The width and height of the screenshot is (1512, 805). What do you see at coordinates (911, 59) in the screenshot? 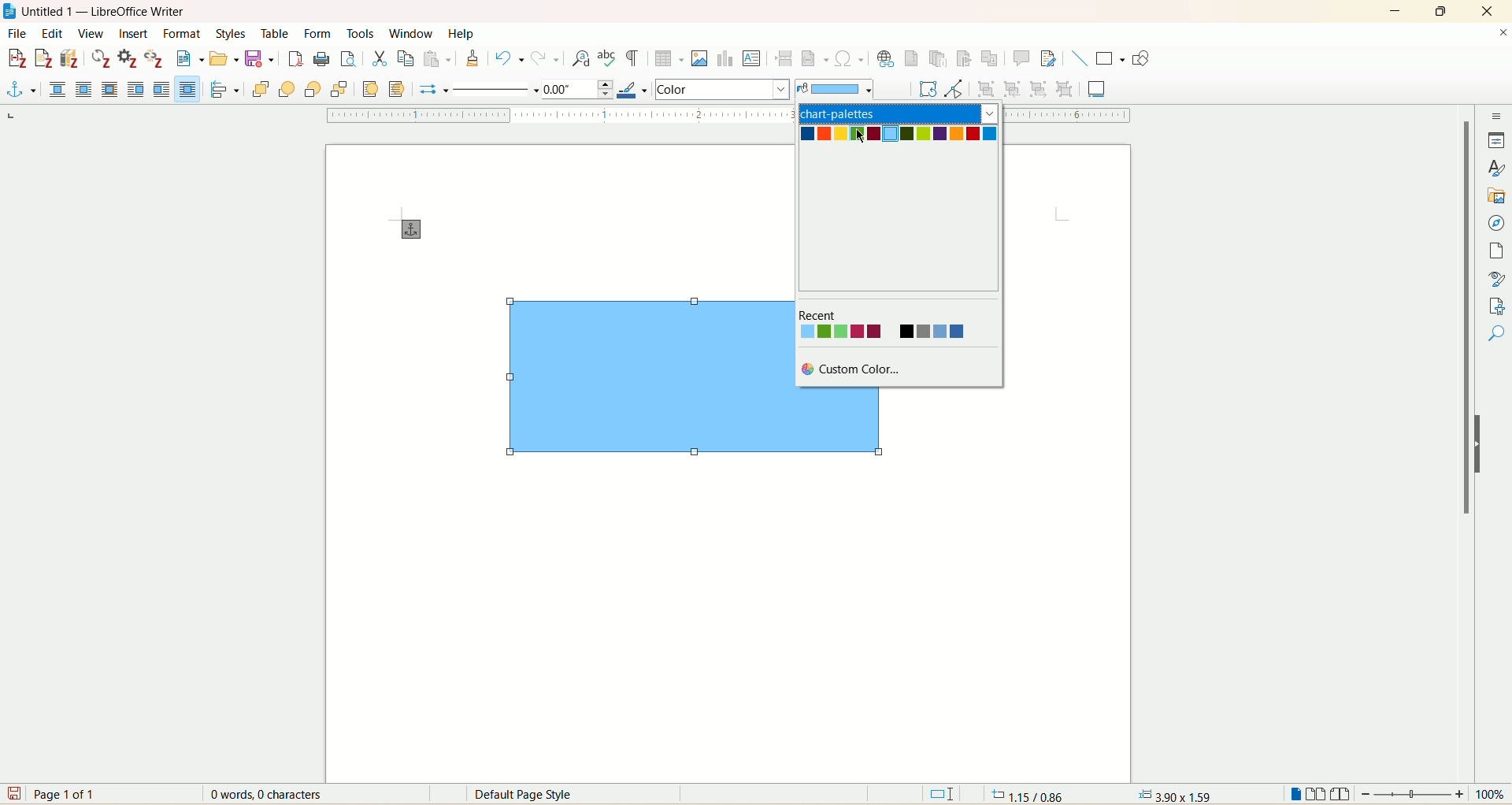
I see `insert footnote` at bounding box center [911, 59].